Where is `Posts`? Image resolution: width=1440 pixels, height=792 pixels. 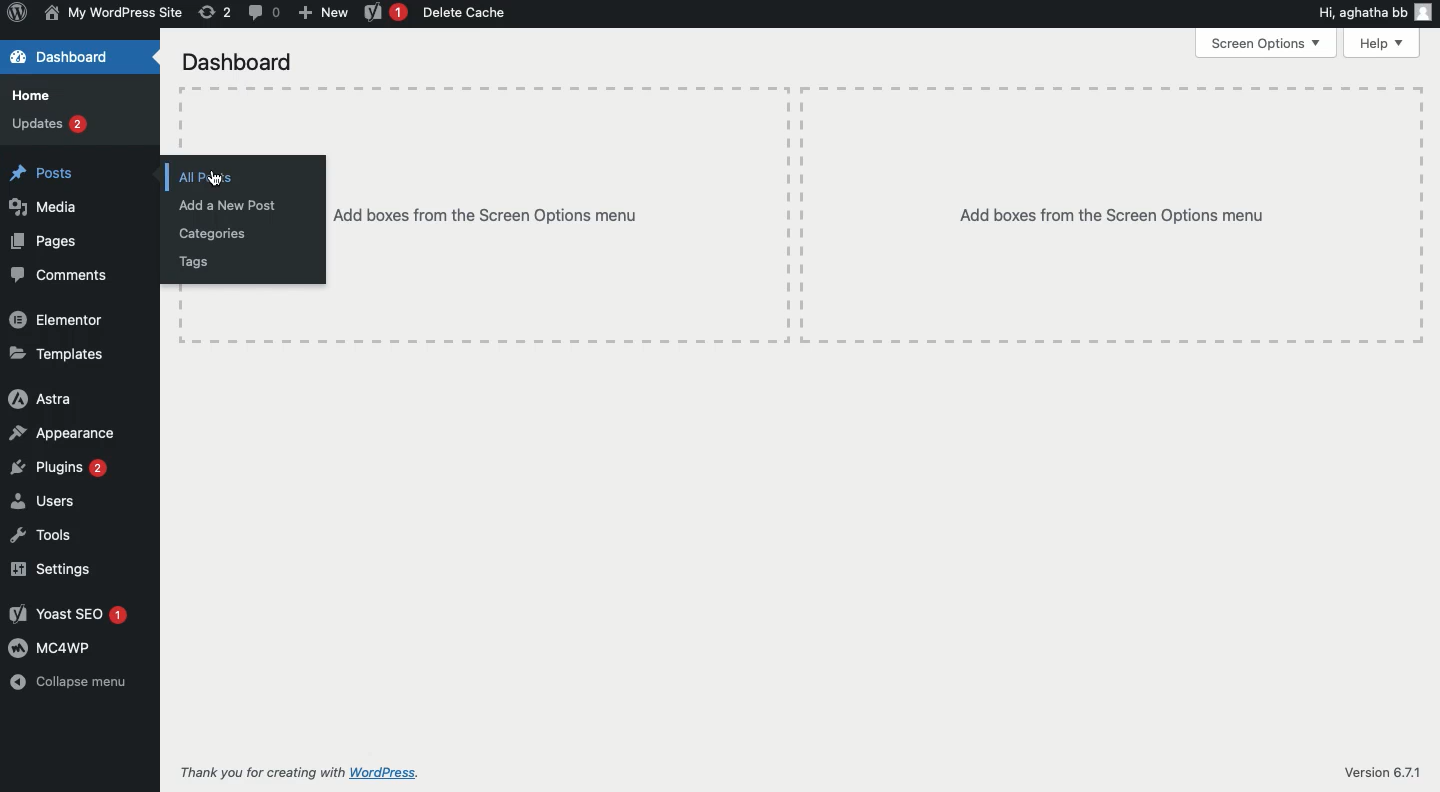 Posts is located at coordinates (40, 170).